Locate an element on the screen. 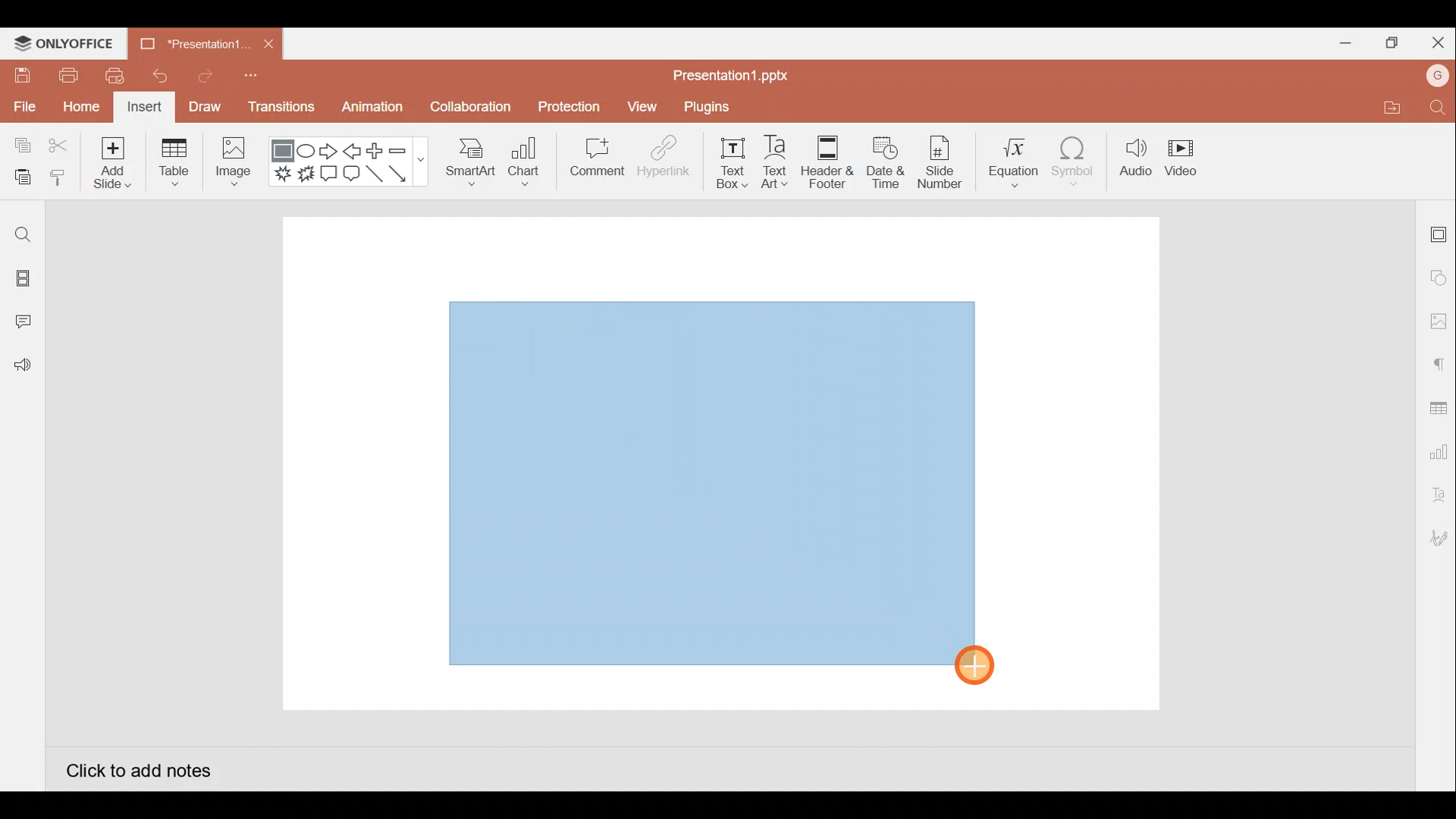  Undo is located at coordinates (154, 76).